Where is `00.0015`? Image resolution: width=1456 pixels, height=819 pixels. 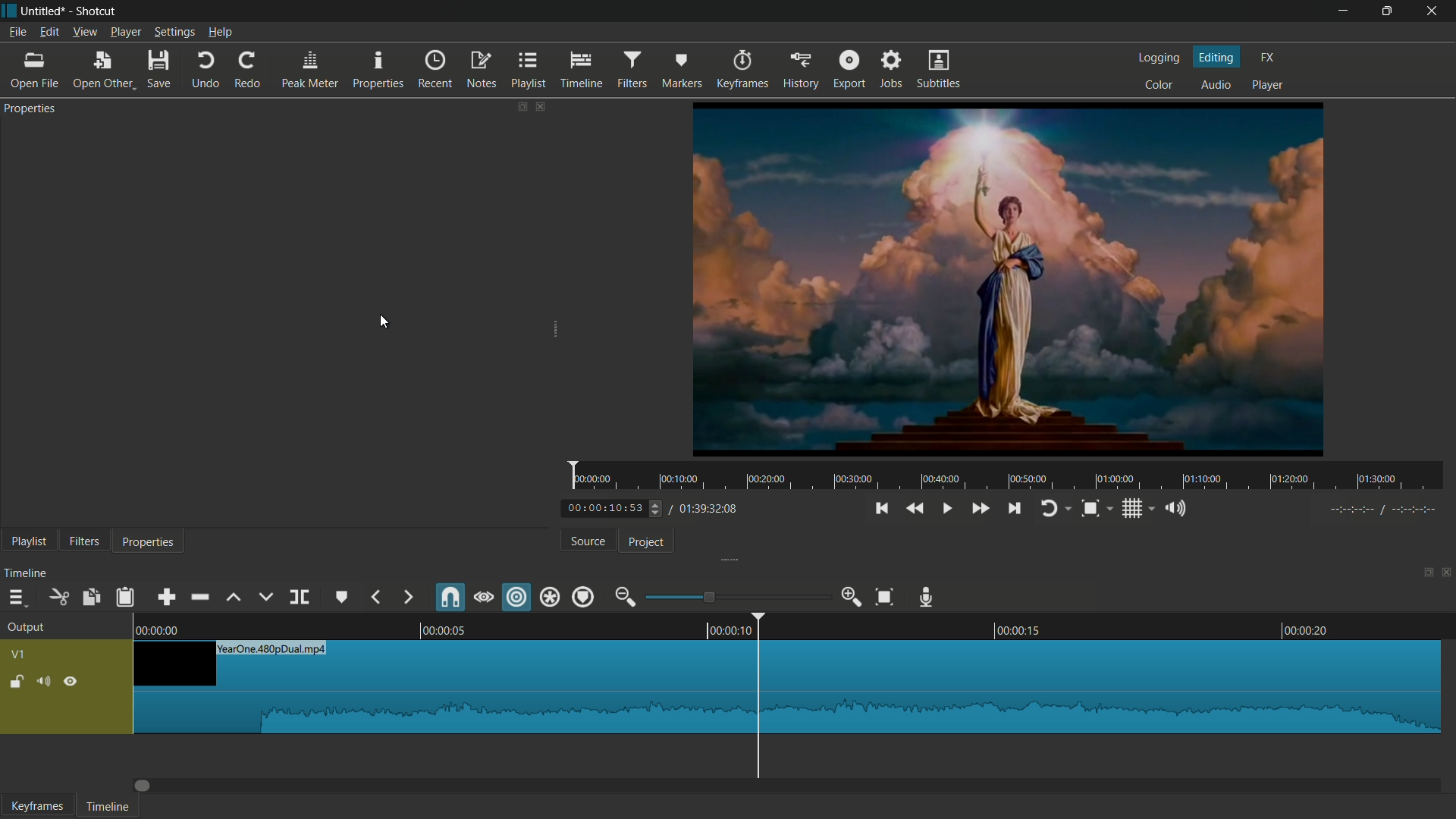 00.0015 is located at coordinates (1020, 626).